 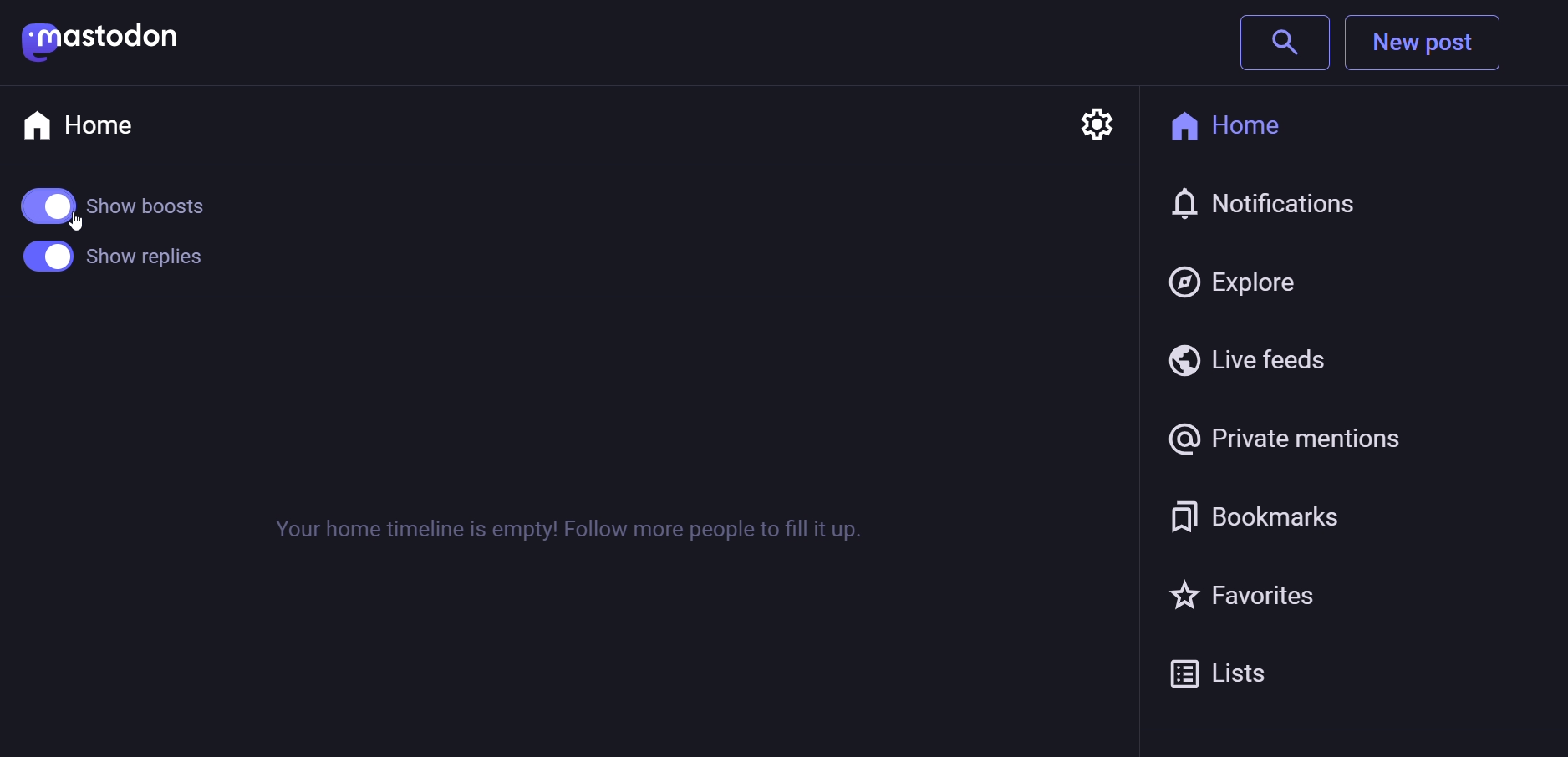 I want to click on Cursor, so click(x=75, y=229).